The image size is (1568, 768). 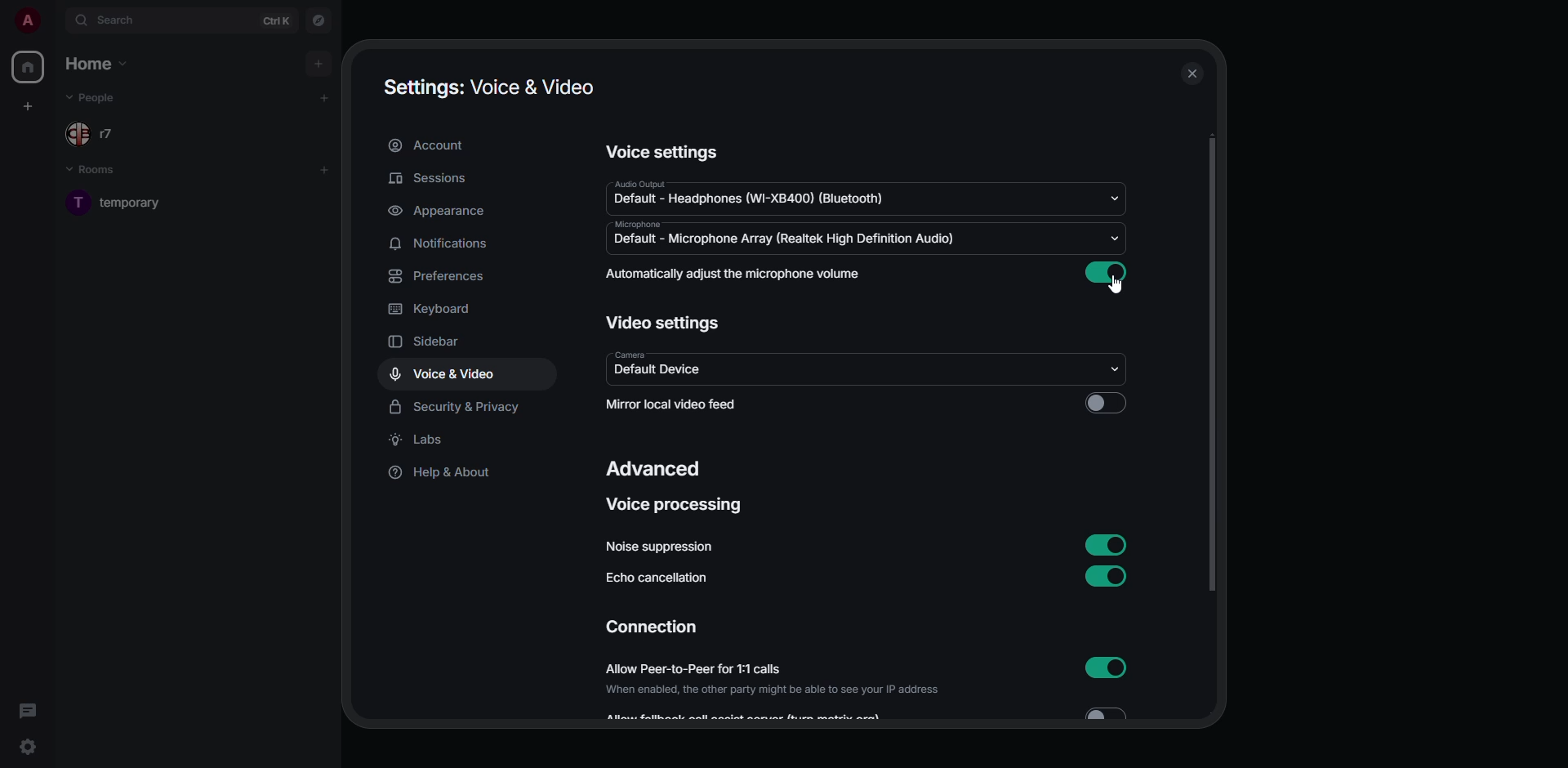 What do you see at coordinates (760, 193) in the screenshot?
I see `audio output` at bounding box center [760, 193].